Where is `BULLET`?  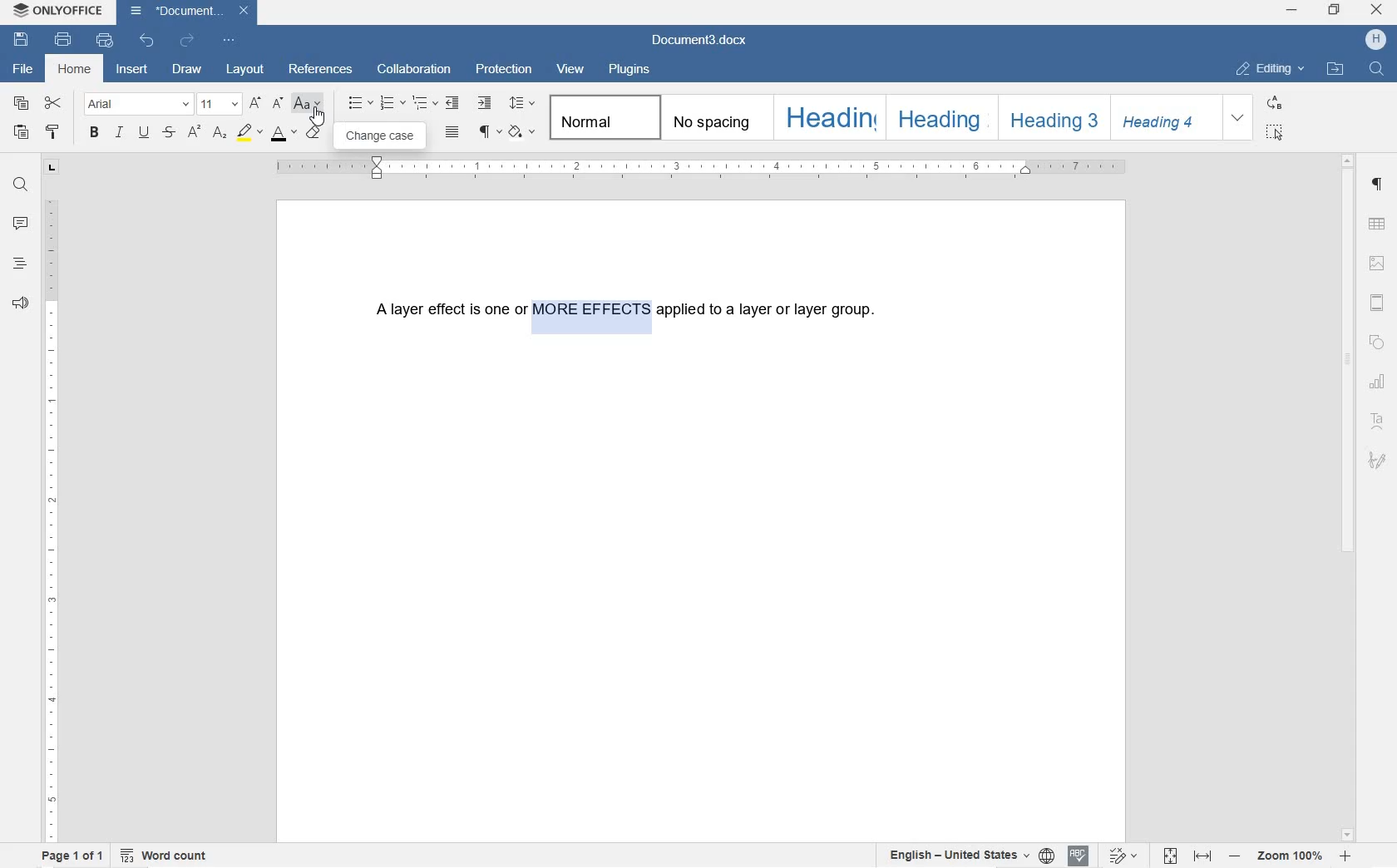
BULLET is located at coordinates (359, 104).